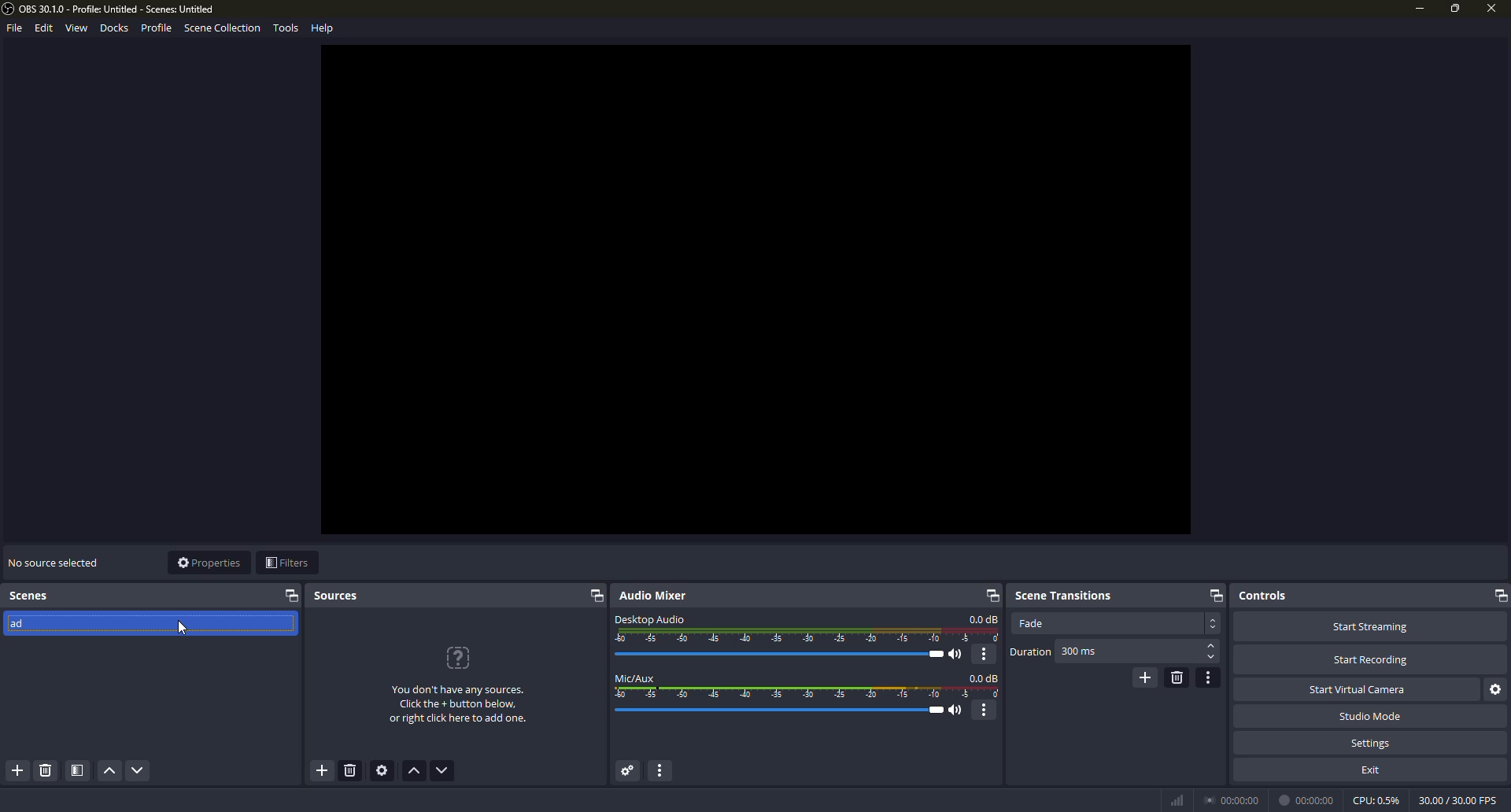  Describe the element at coordinates (1309, 799) in the screenshot. I see `time` at that location.